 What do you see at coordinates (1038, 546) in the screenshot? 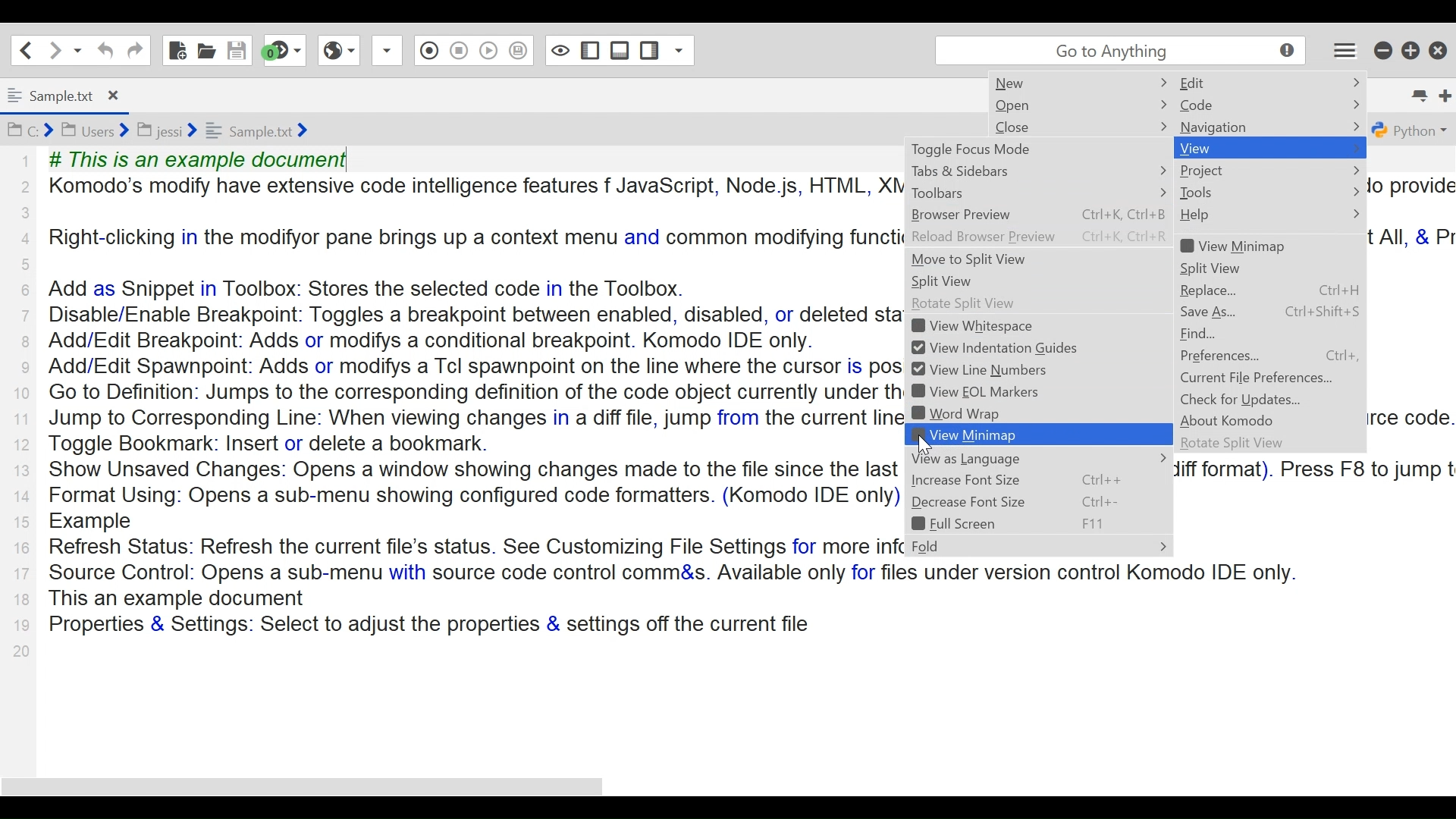
I see `Fold` at bounding box center [1038, 546].